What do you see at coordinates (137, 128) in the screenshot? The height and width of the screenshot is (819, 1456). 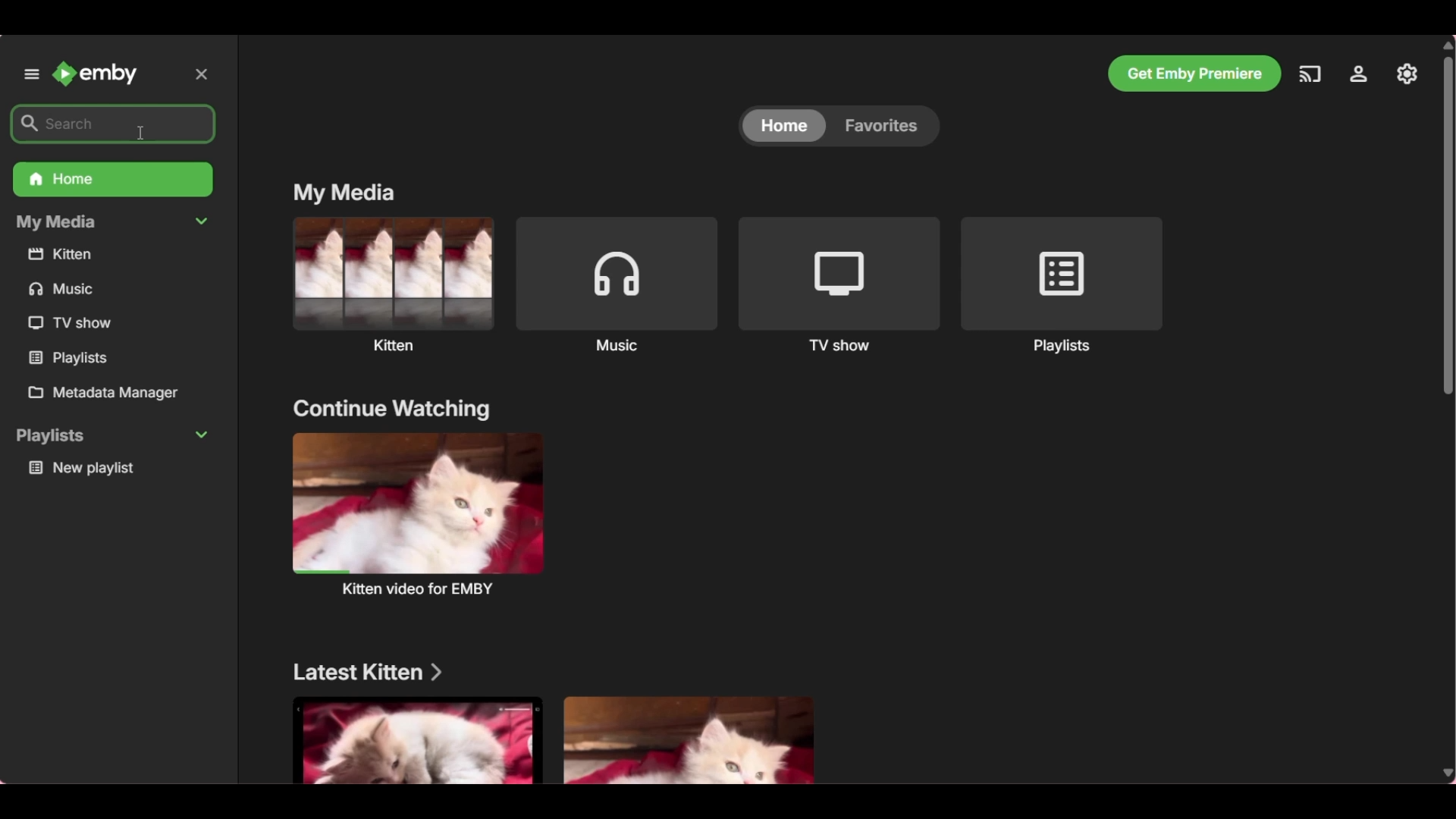 I see `cursor` at bounding box center [137, 128].